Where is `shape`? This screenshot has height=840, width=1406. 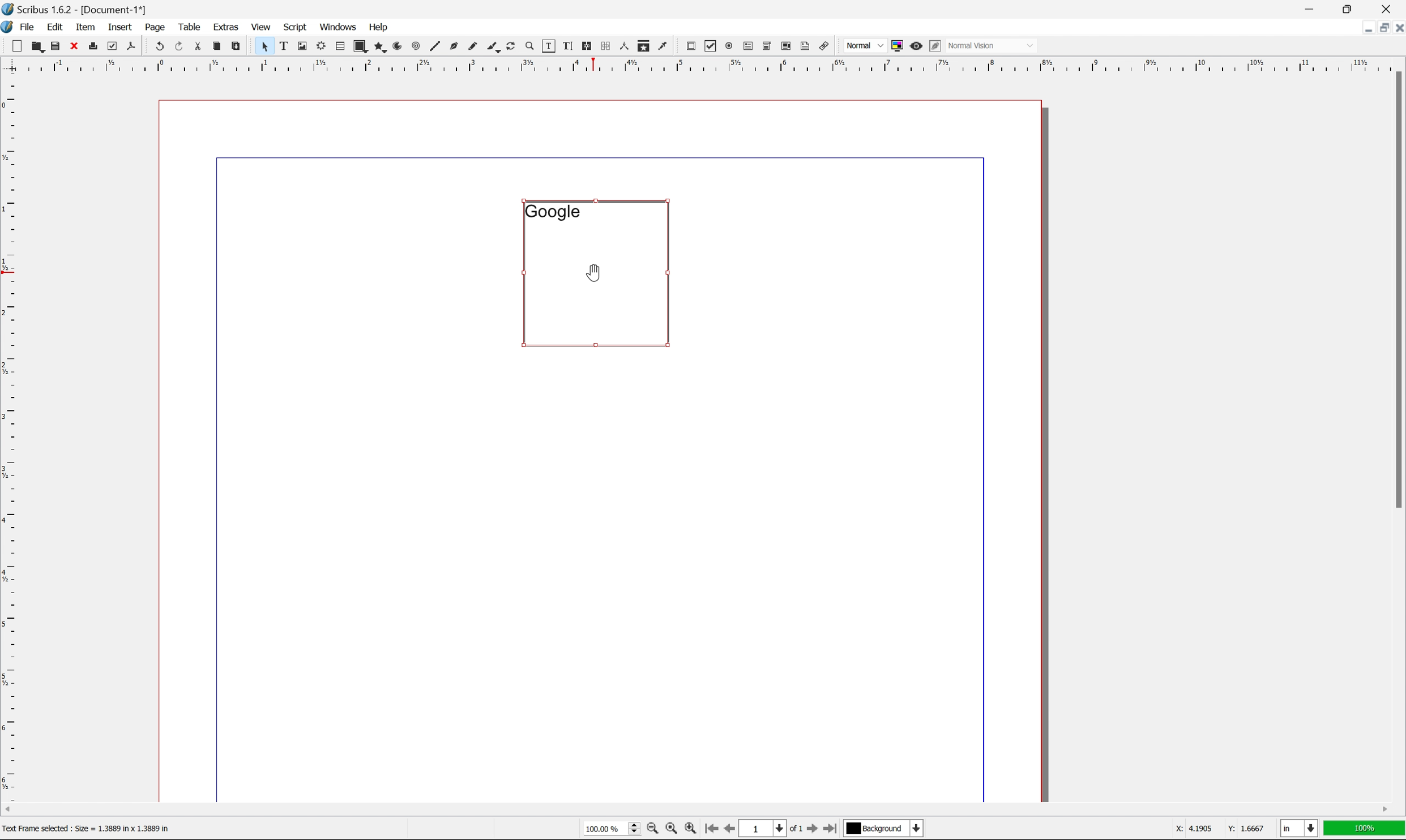 shape is located at coordinates (361, 47).